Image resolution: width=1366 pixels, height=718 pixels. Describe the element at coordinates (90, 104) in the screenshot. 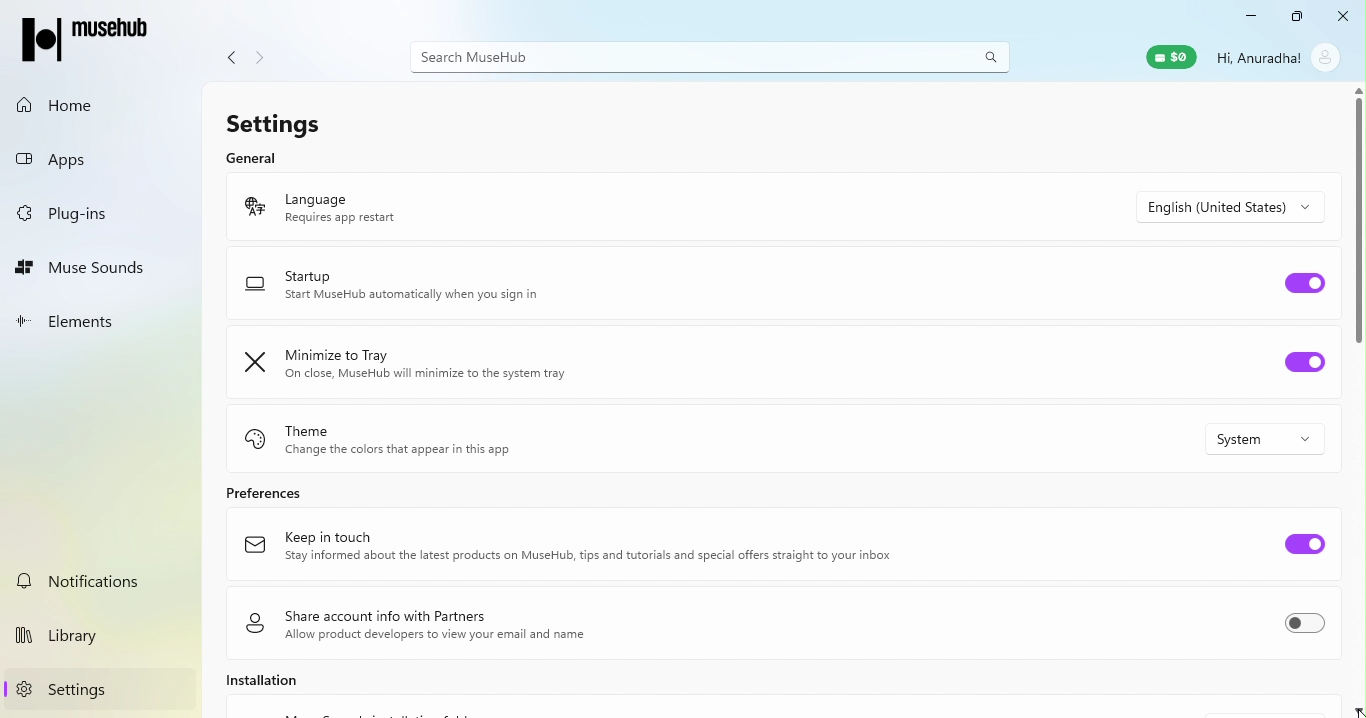

I see `Home` at that location.